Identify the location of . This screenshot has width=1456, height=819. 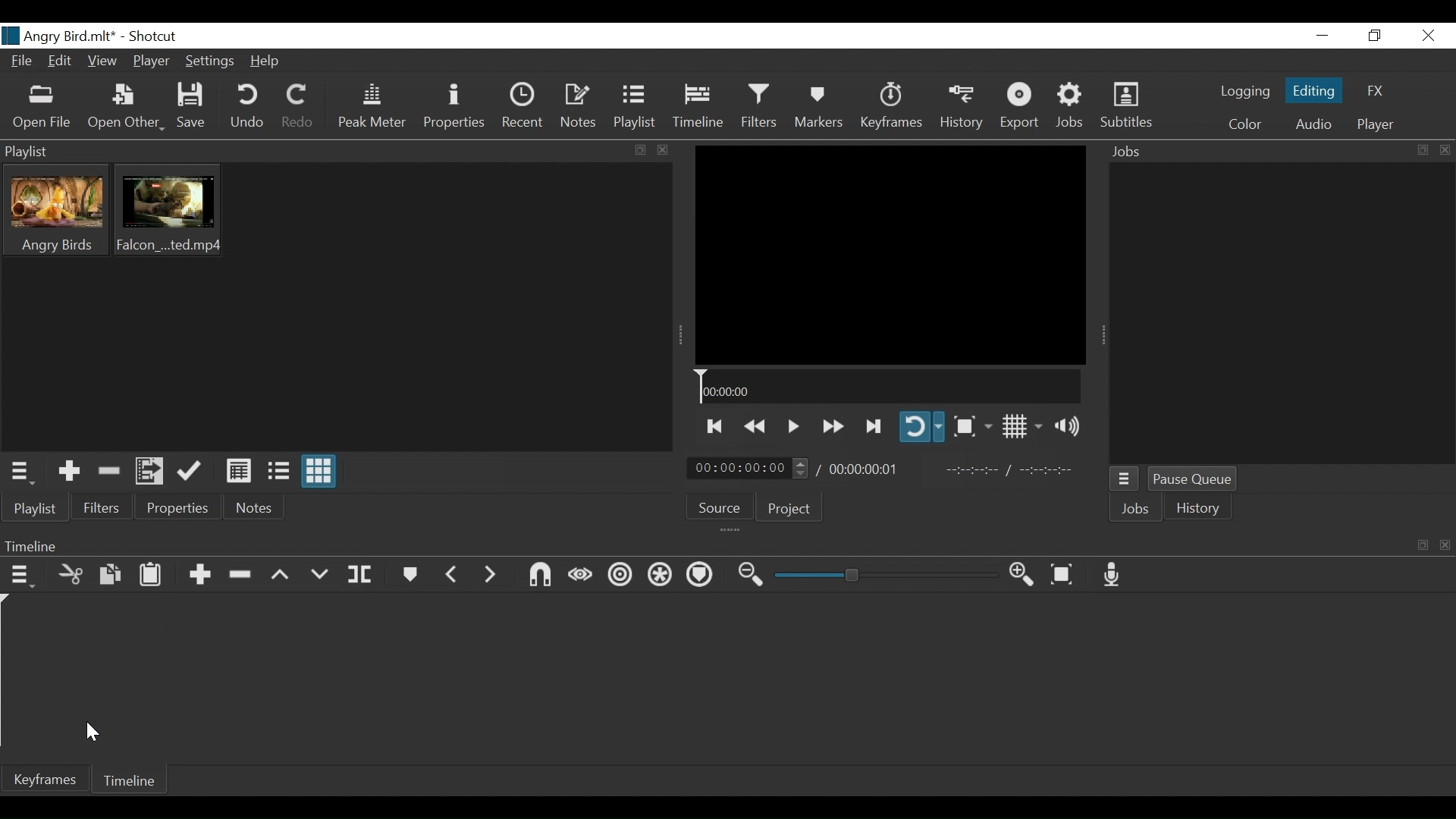
(522, 107).